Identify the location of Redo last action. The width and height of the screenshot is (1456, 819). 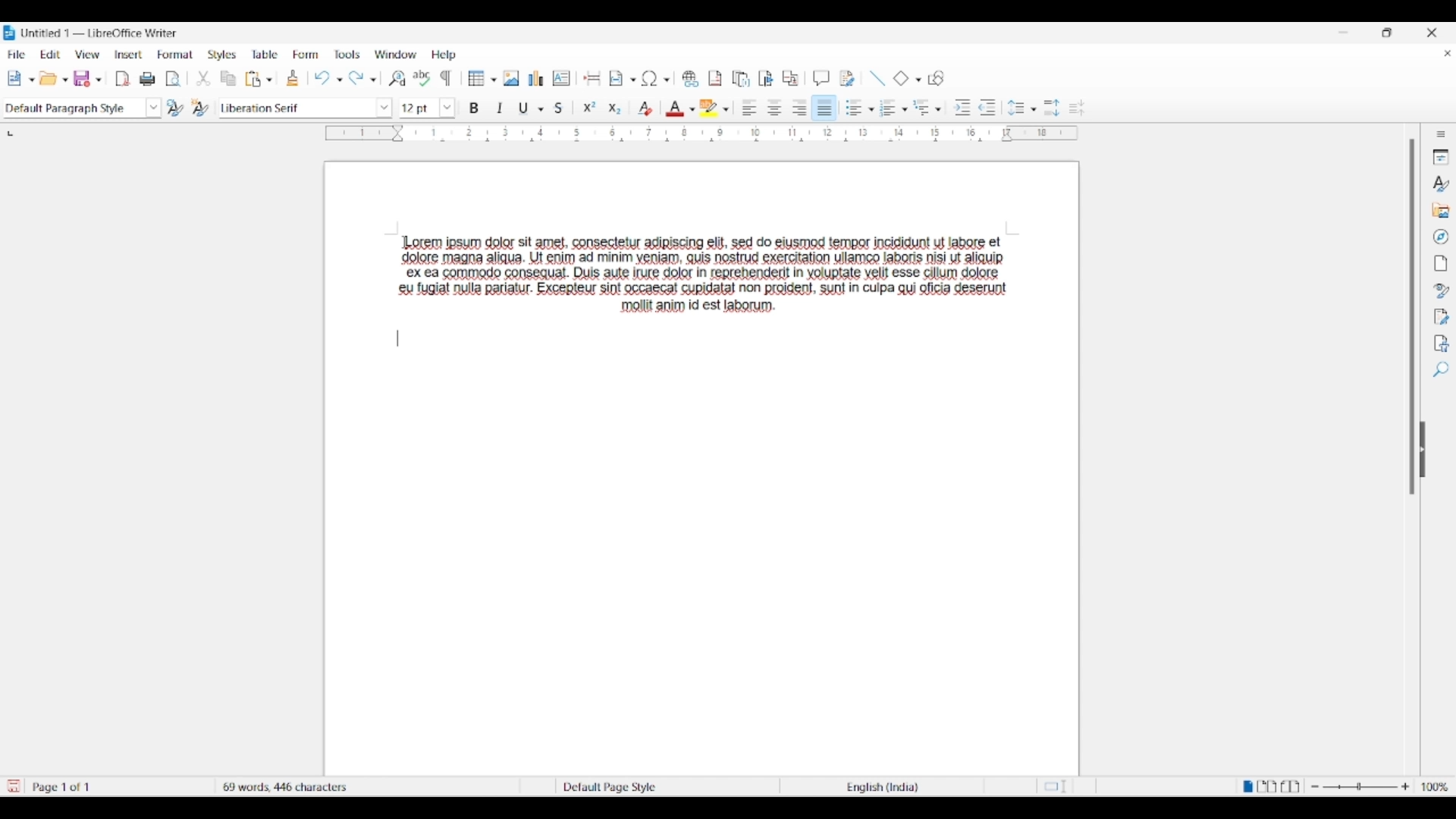
(356, 78).